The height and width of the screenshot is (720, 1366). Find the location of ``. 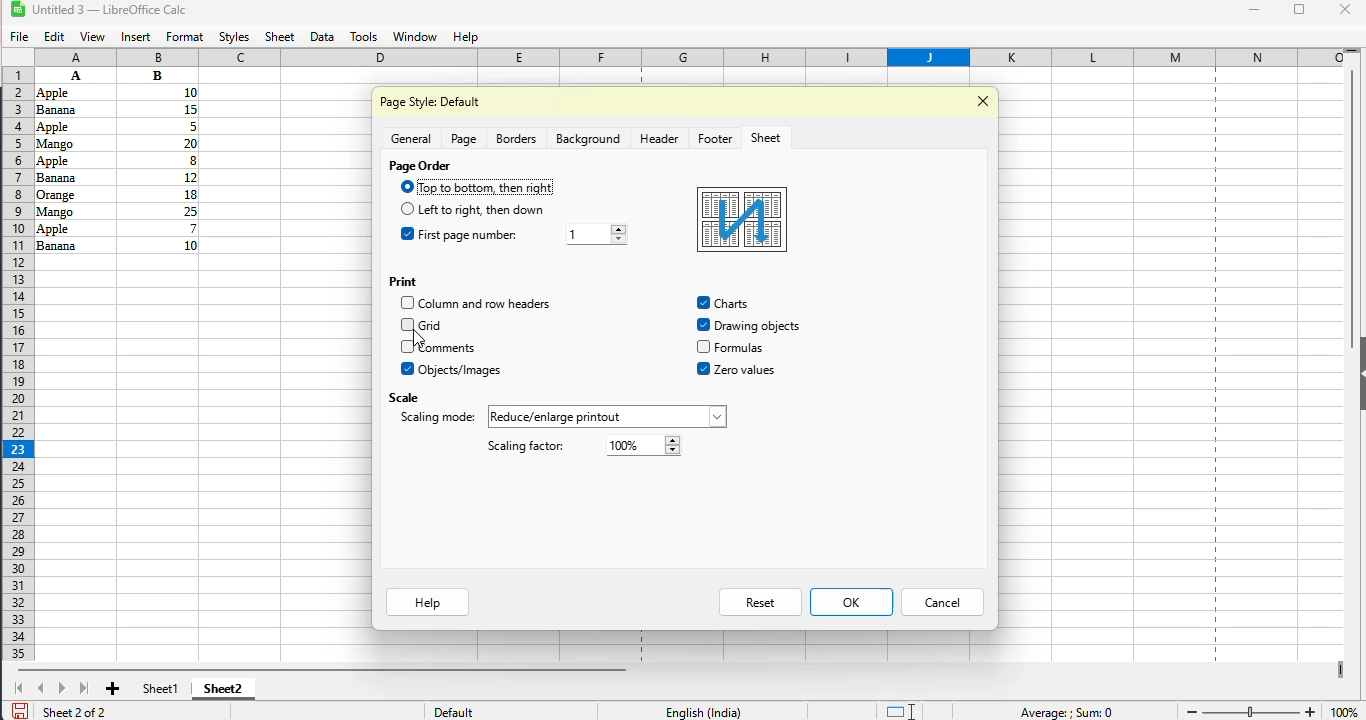

 is located at coordinates (742, 348).